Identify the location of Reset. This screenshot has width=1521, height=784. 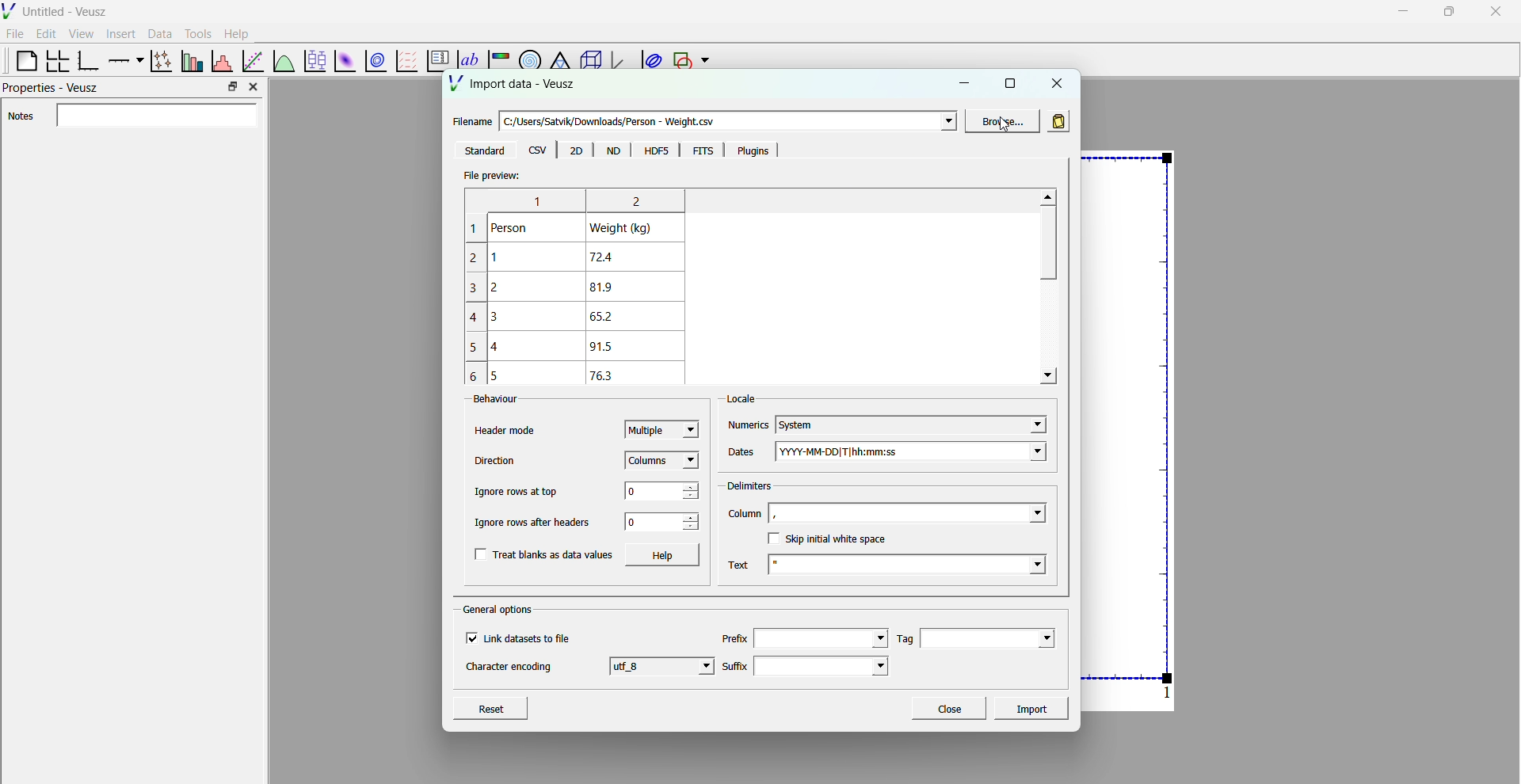
(507, 706).